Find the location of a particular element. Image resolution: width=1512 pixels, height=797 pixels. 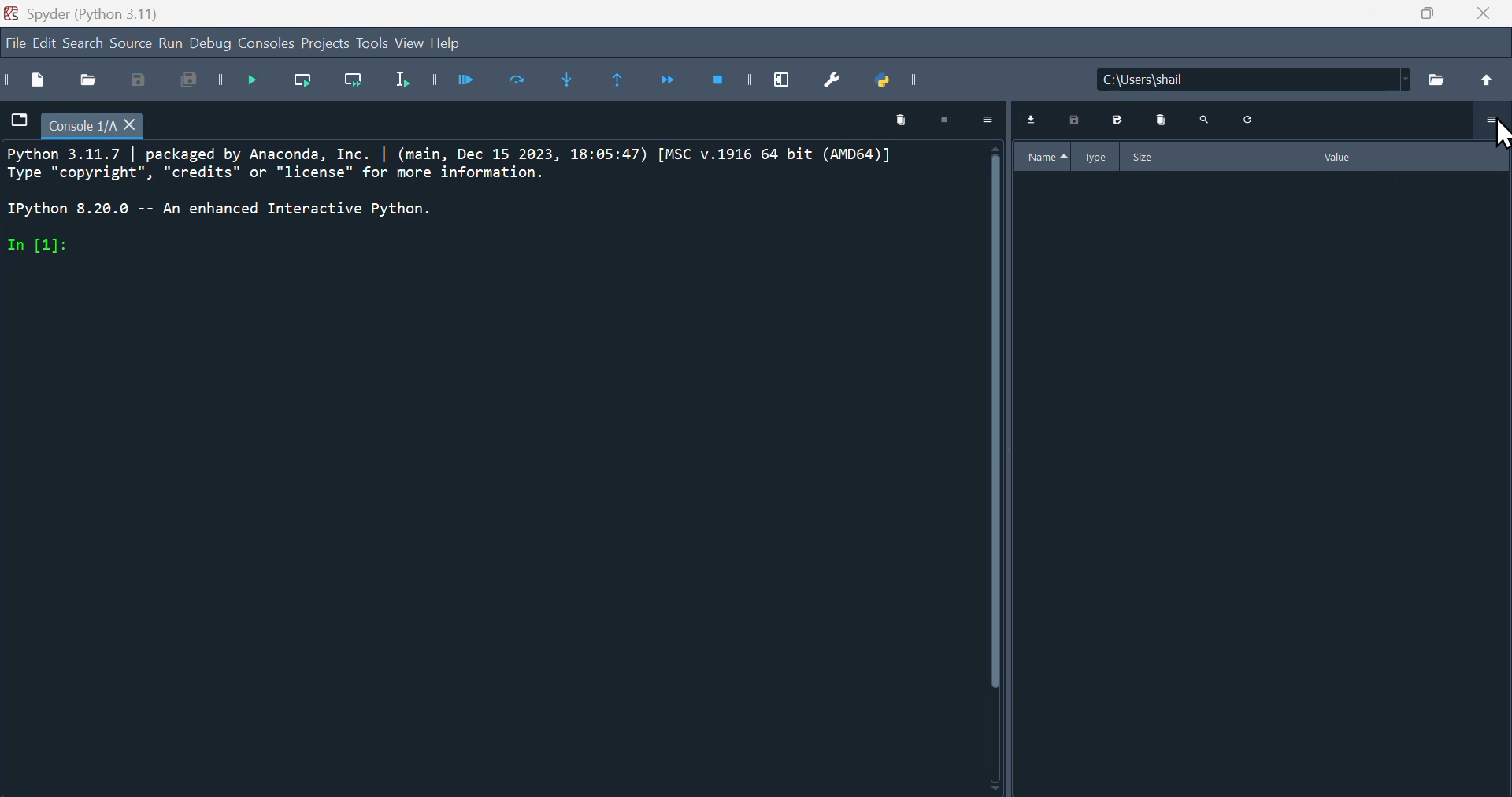

Size is located at coordinates (1146, 156).